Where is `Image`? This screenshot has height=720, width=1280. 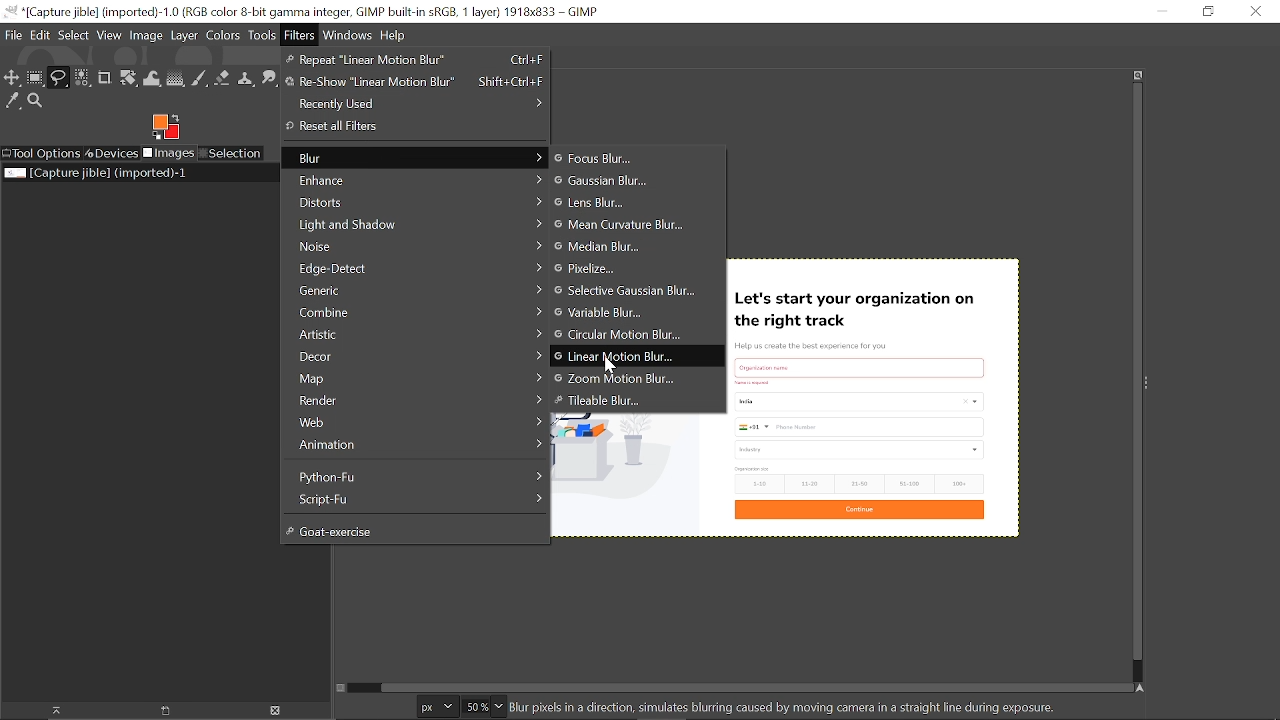 Image is located at coordinates (146, 34).